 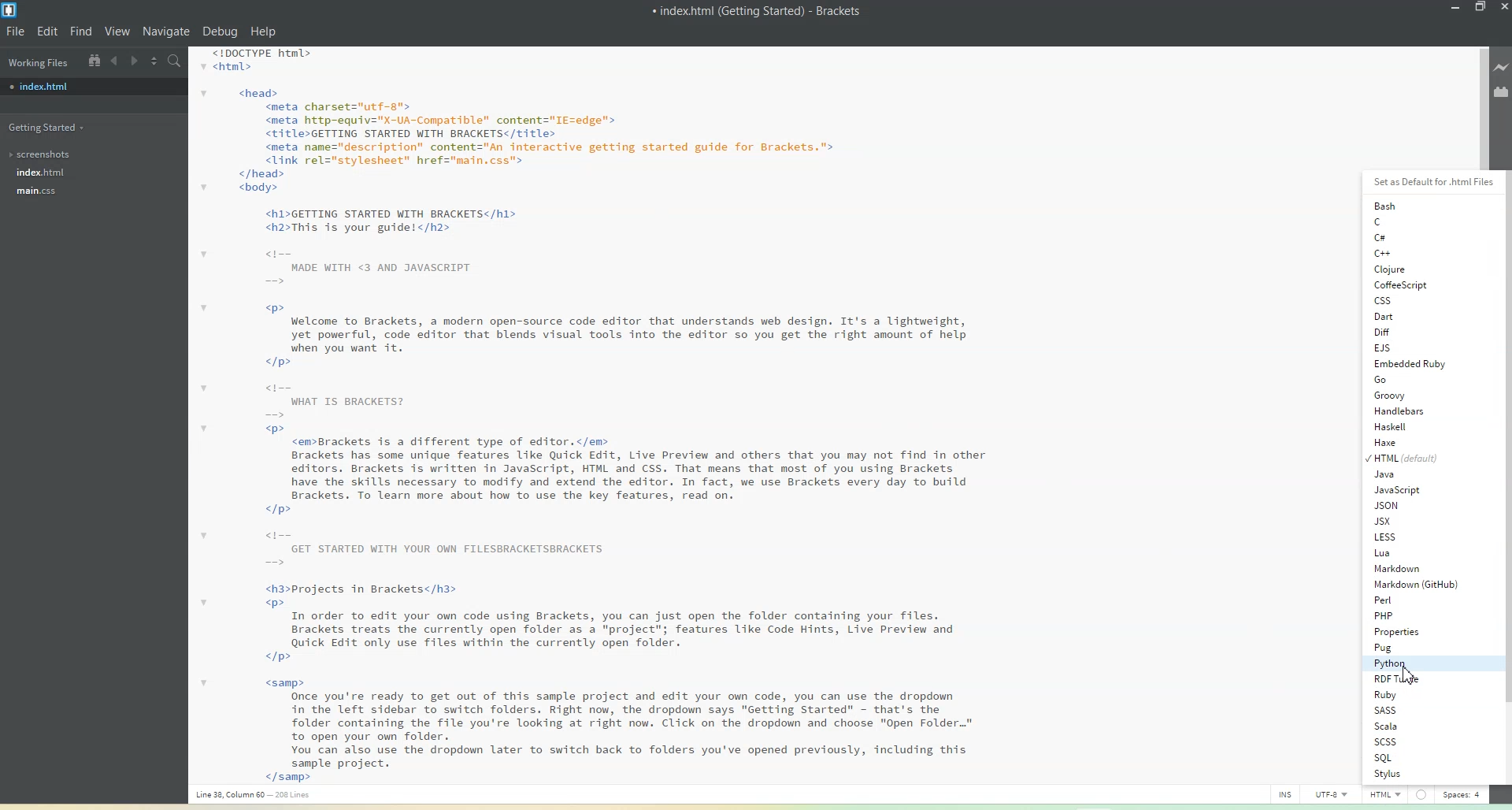 I want to click on Vertical scroll bar, so click(x=1503, y=475).